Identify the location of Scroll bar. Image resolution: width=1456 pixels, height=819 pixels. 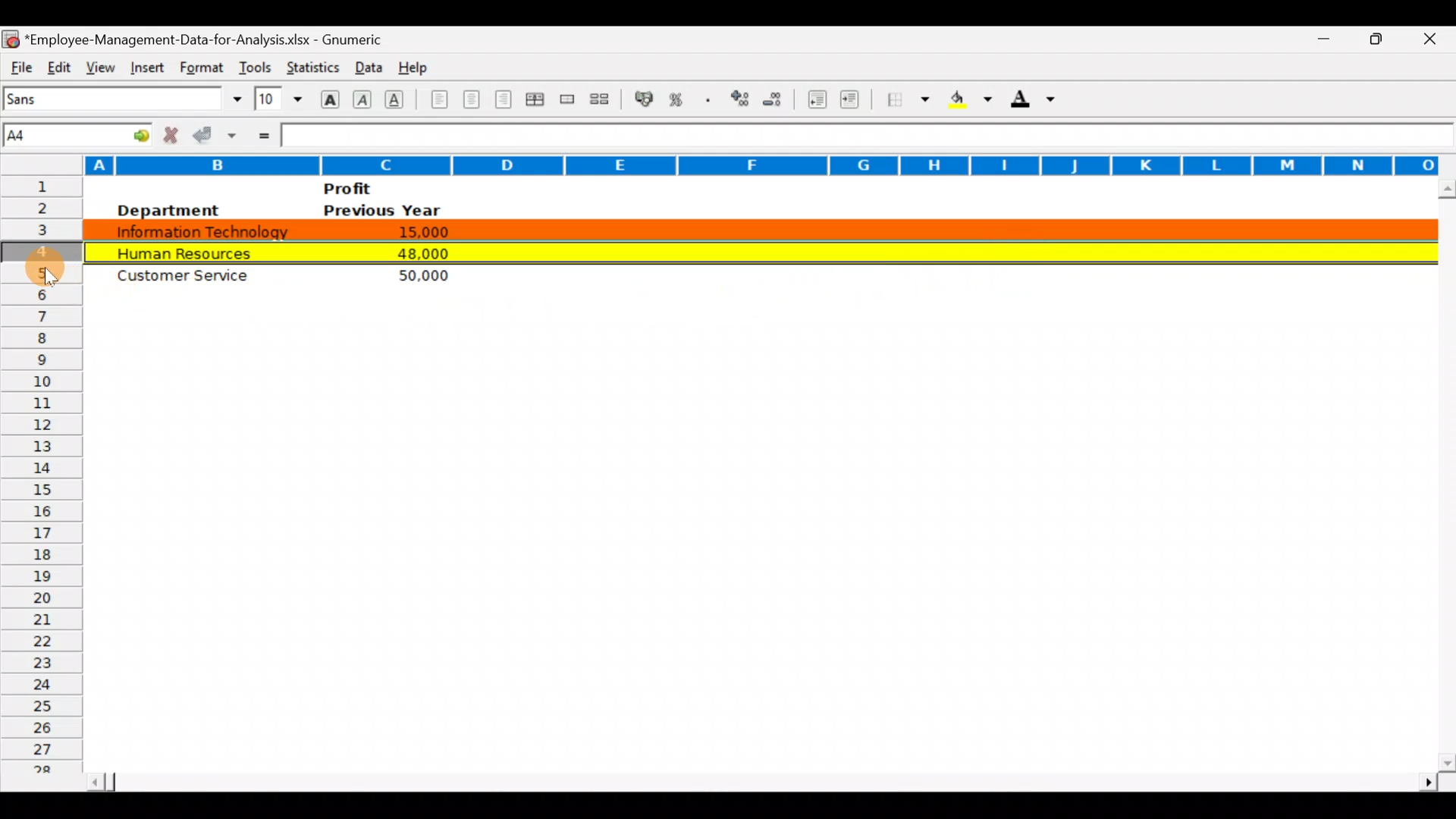
(1443, 475).